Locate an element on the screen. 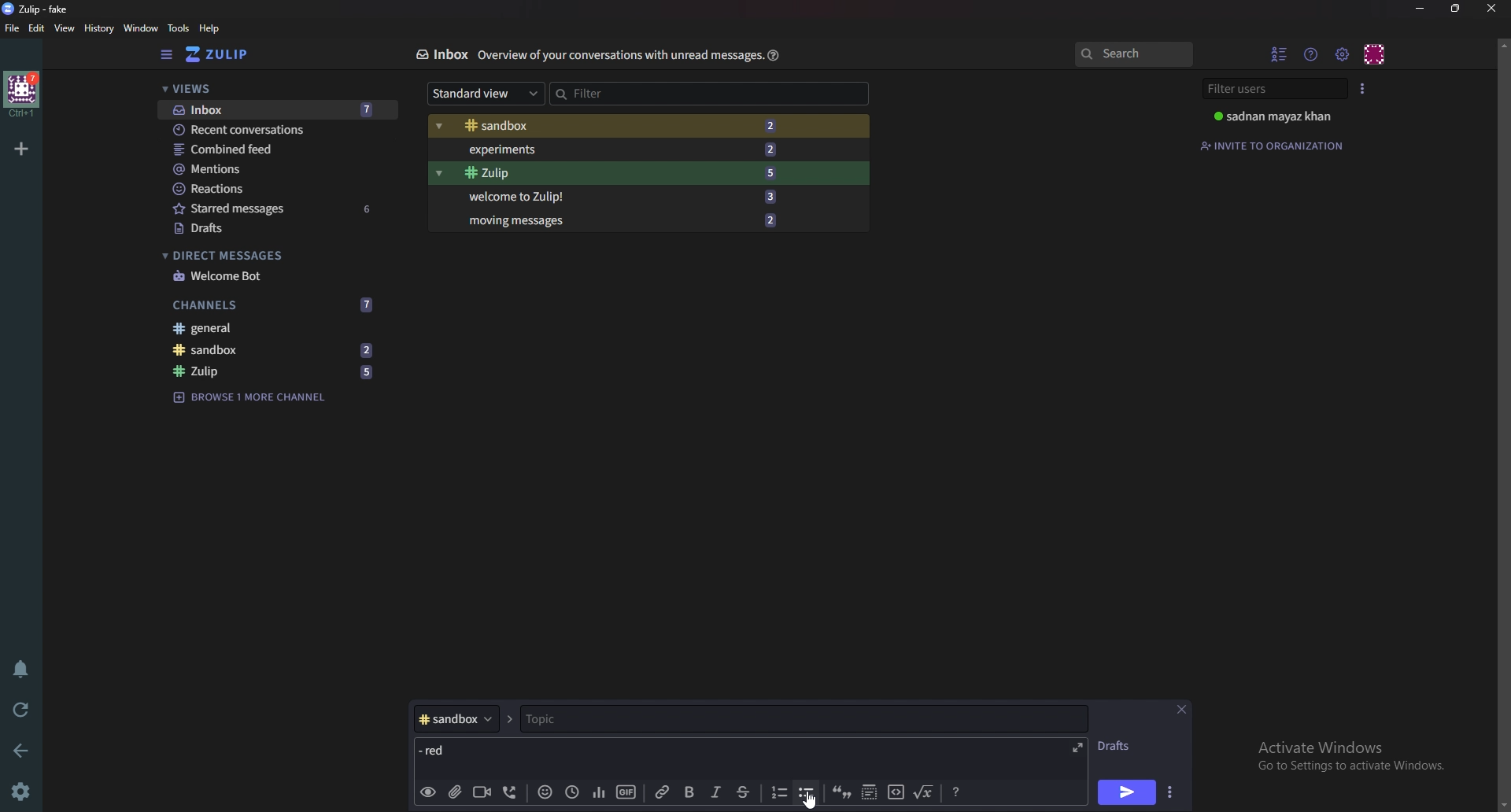  Spoiler is located at coordinates (870, 791).